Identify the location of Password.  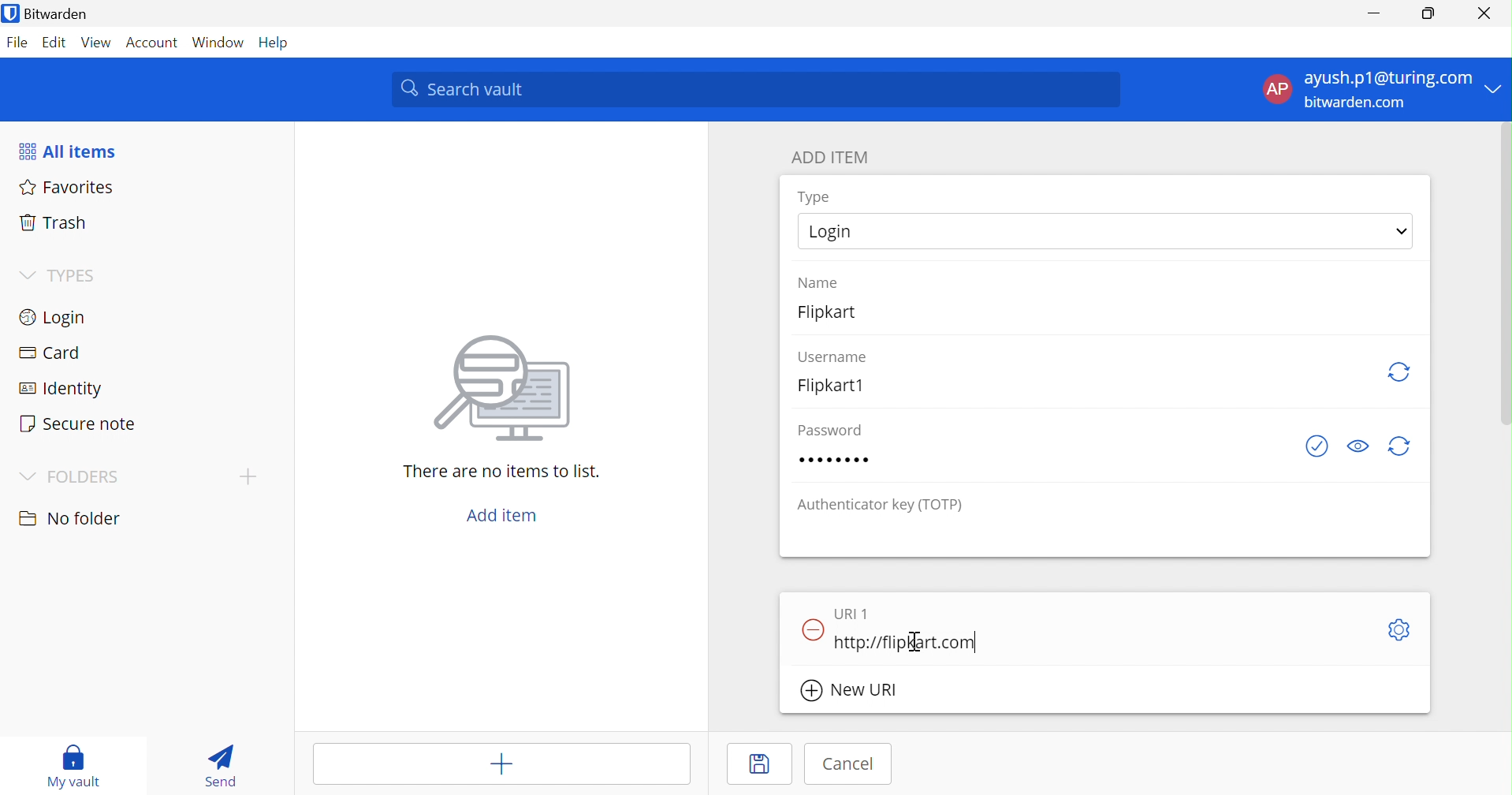
(838, 461).